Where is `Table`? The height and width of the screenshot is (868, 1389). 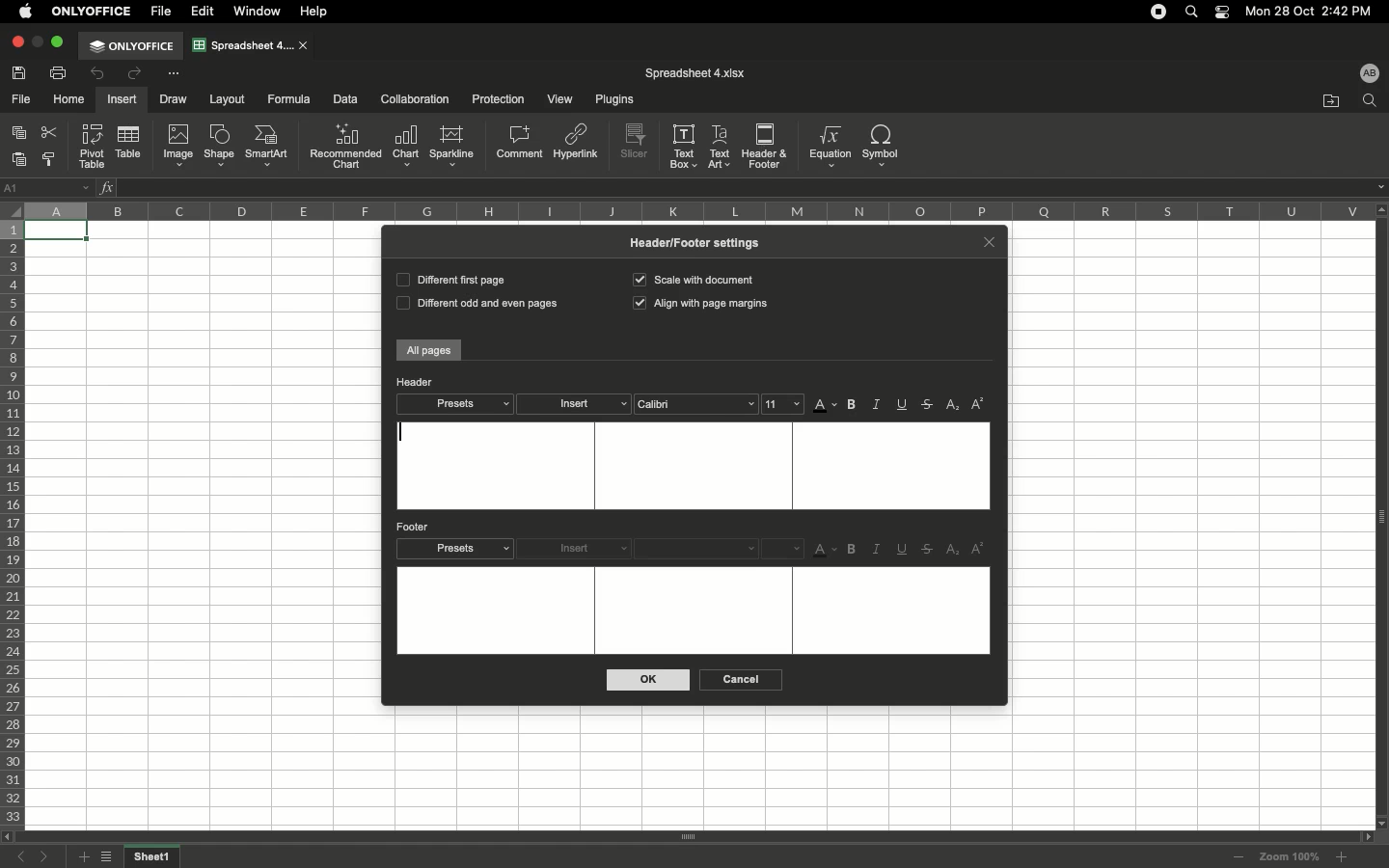
Table is located at coordinates (126, 144).